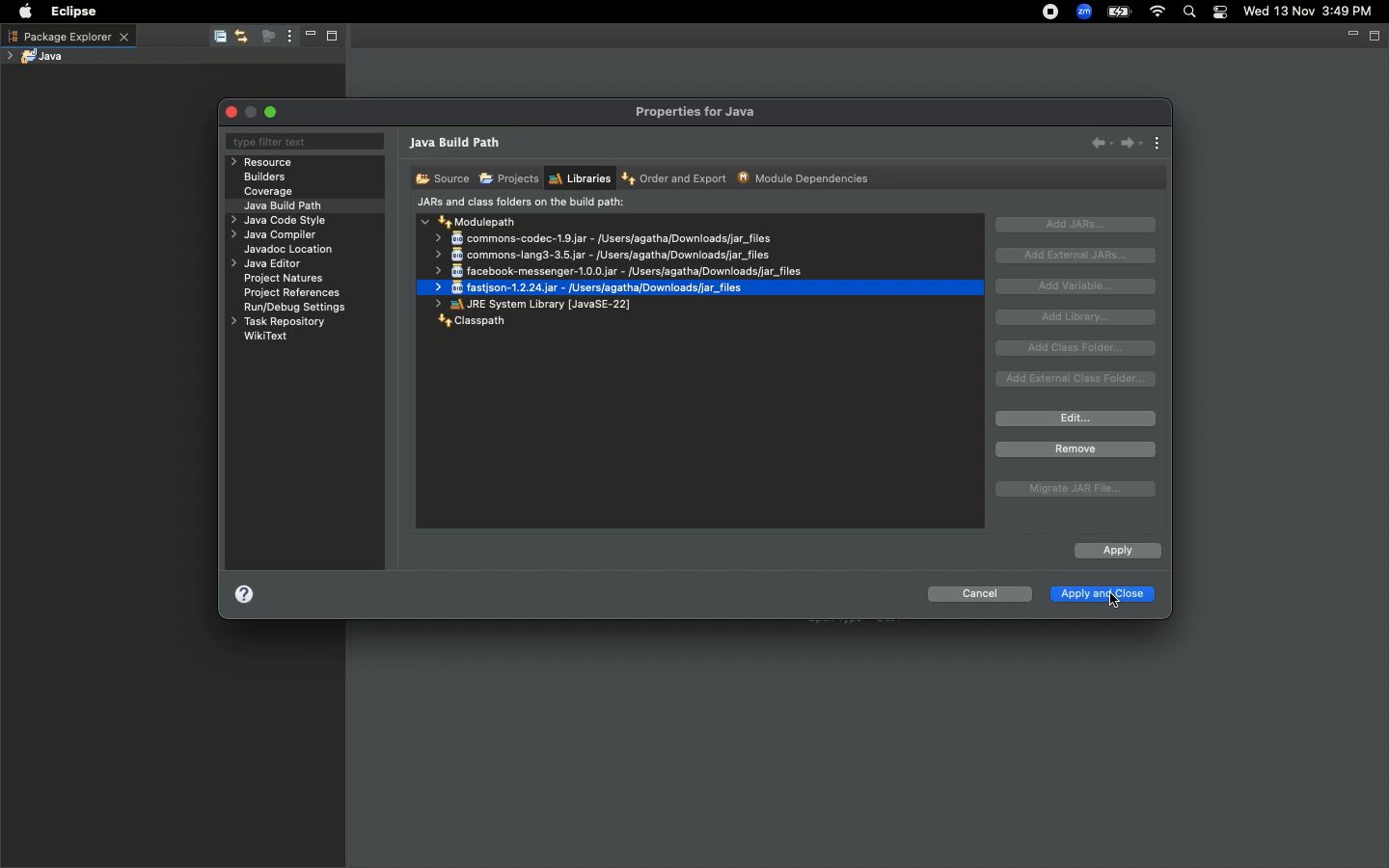 The height and width of the screenshot is (868, 1389). Describe the element at coordinates (277, 237) in the screenshot. I see `Java compiler` at that location.